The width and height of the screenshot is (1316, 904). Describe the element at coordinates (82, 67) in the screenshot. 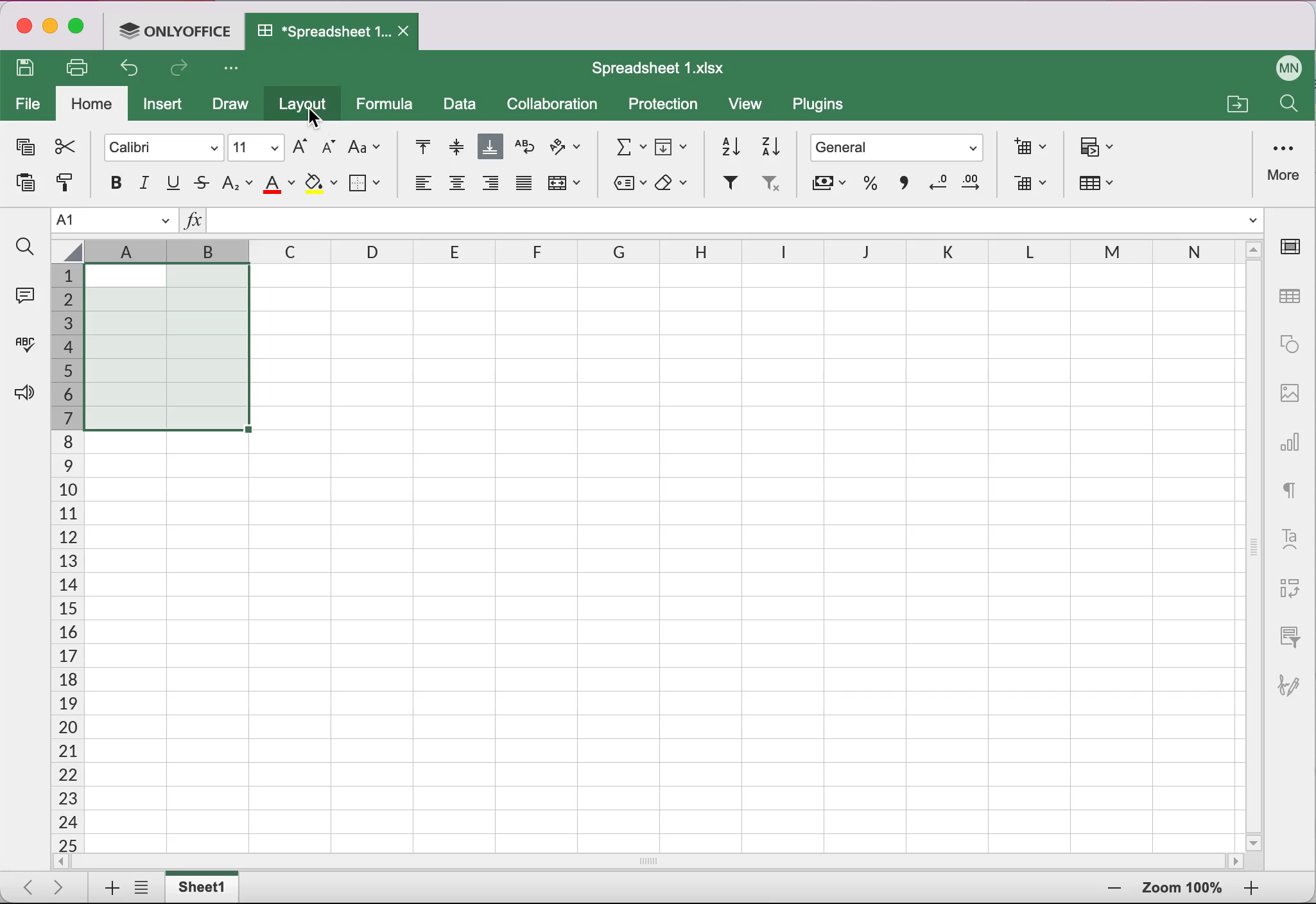

I see `print` at that location.